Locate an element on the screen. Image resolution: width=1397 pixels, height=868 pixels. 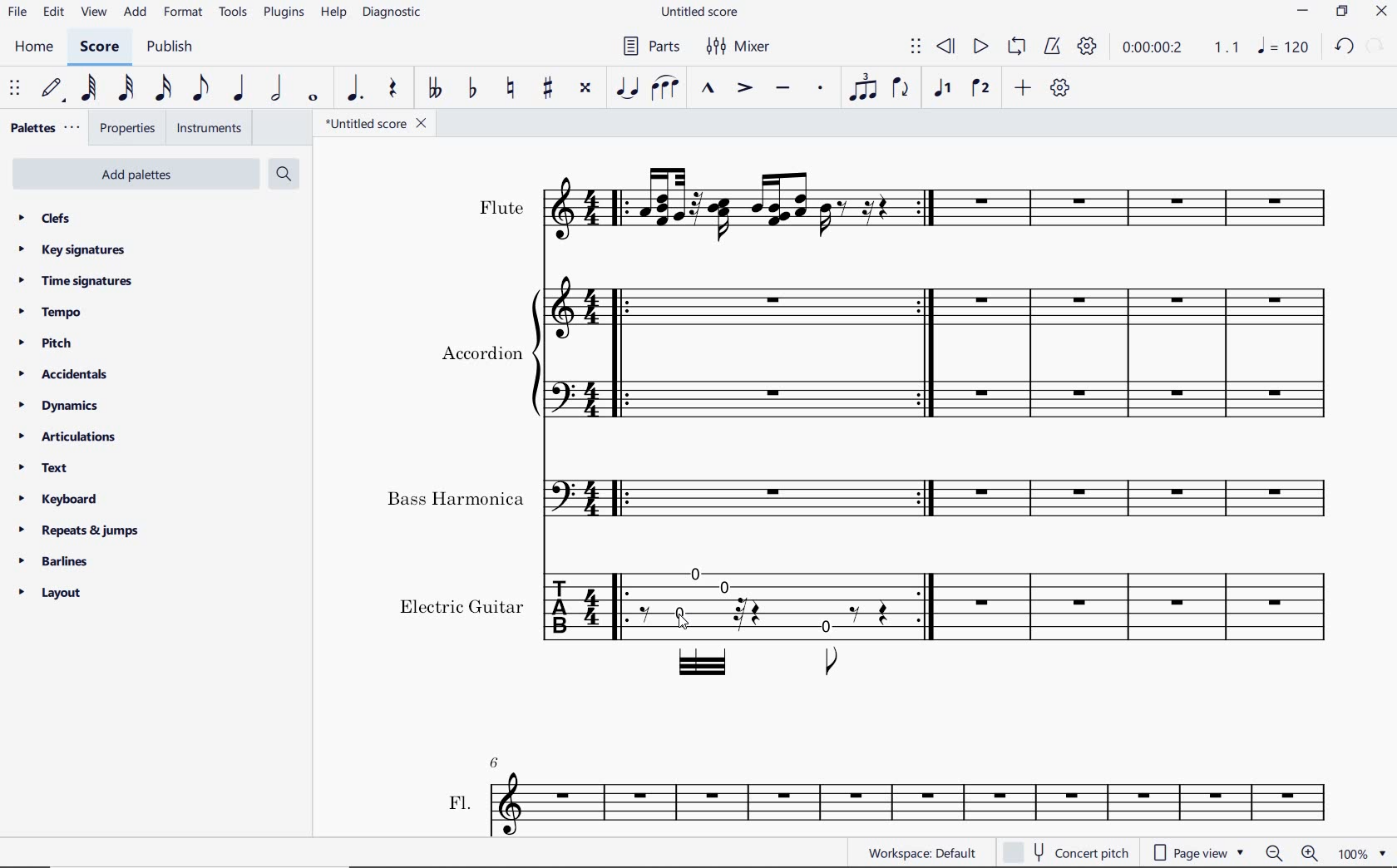
tenuto is located at coordinates (784, 89).